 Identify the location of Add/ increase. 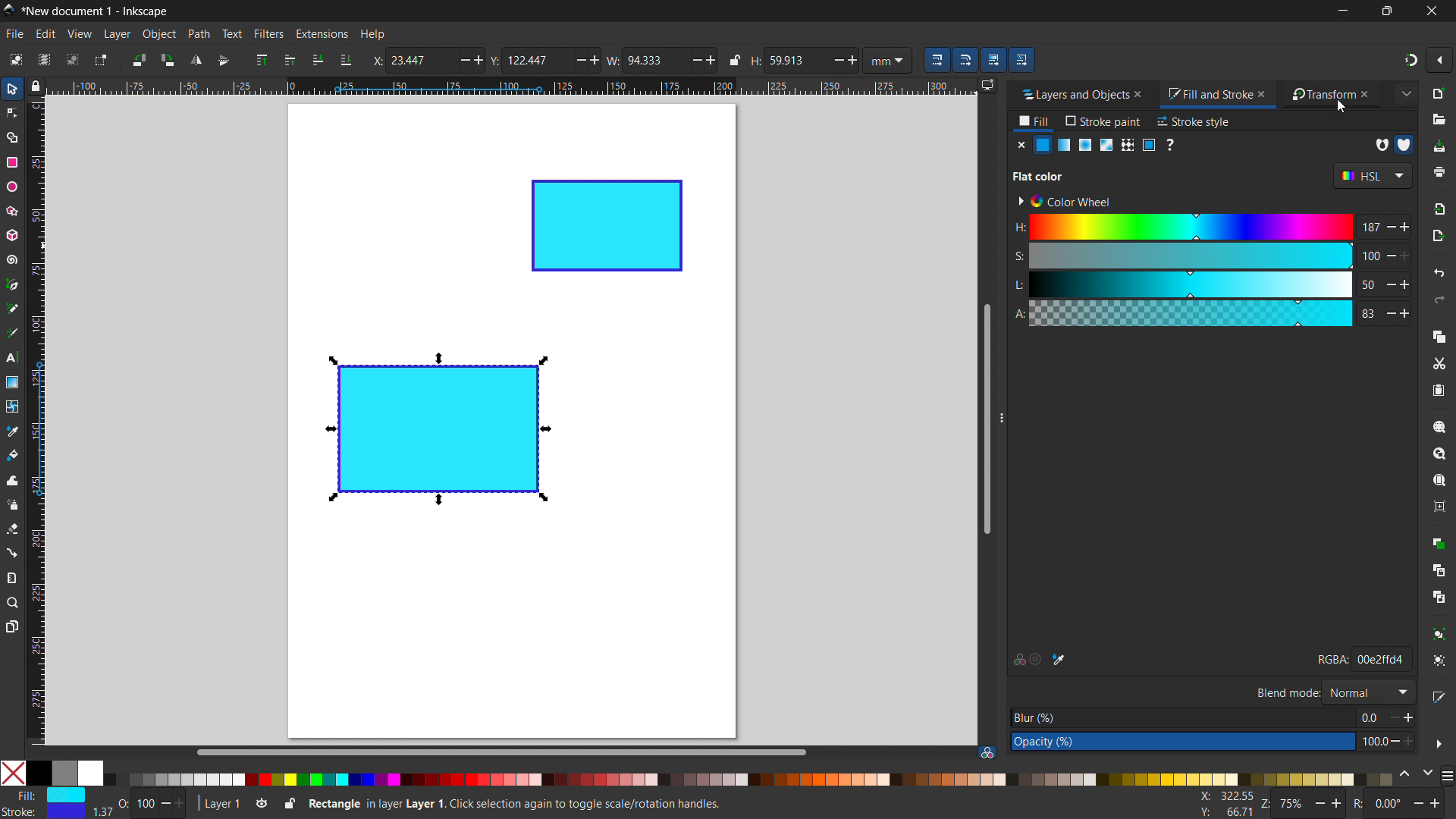
(597, 60).